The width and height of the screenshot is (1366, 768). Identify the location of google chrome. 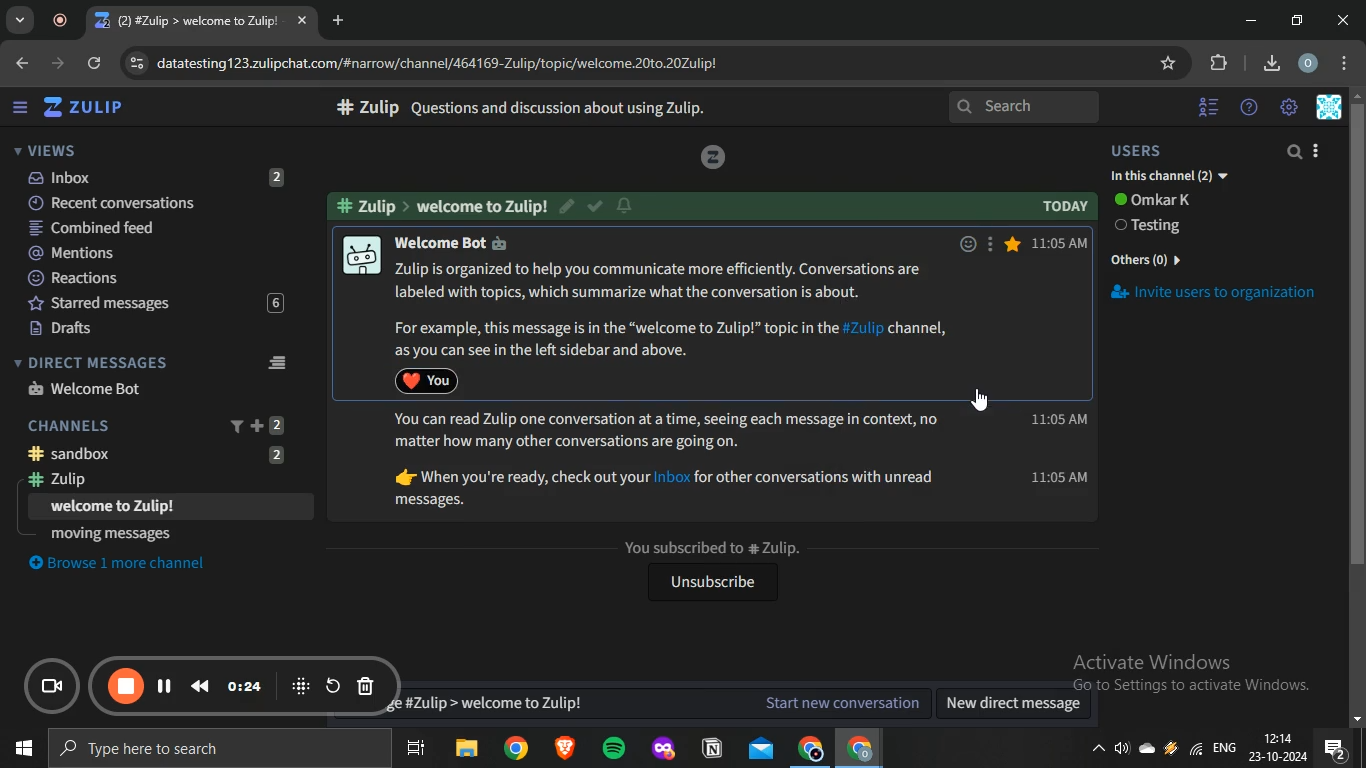
(809, 749).